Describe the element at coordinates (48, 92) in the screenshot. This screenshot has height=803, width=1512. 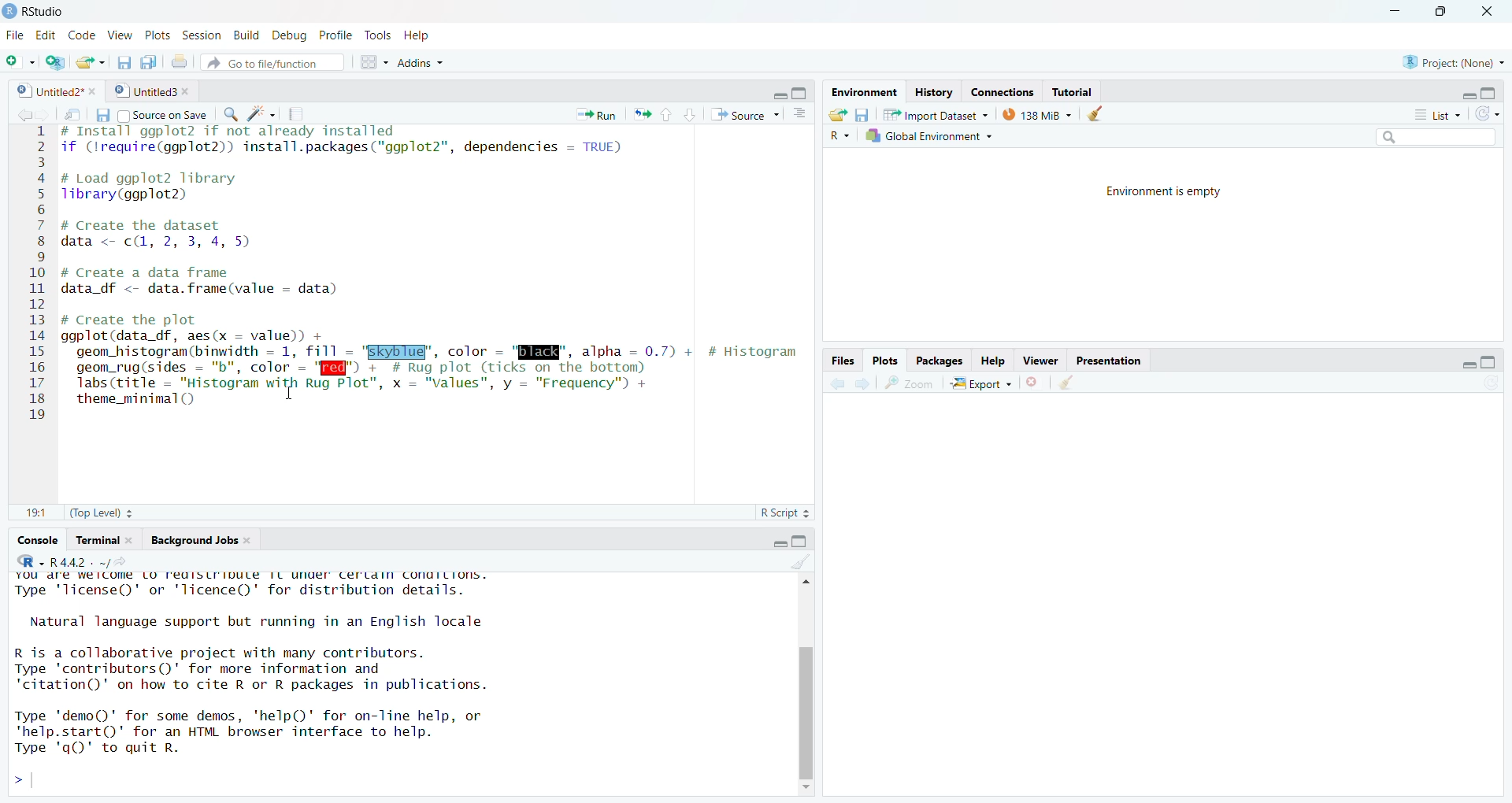
I see `9] Untitled?"` at that location.